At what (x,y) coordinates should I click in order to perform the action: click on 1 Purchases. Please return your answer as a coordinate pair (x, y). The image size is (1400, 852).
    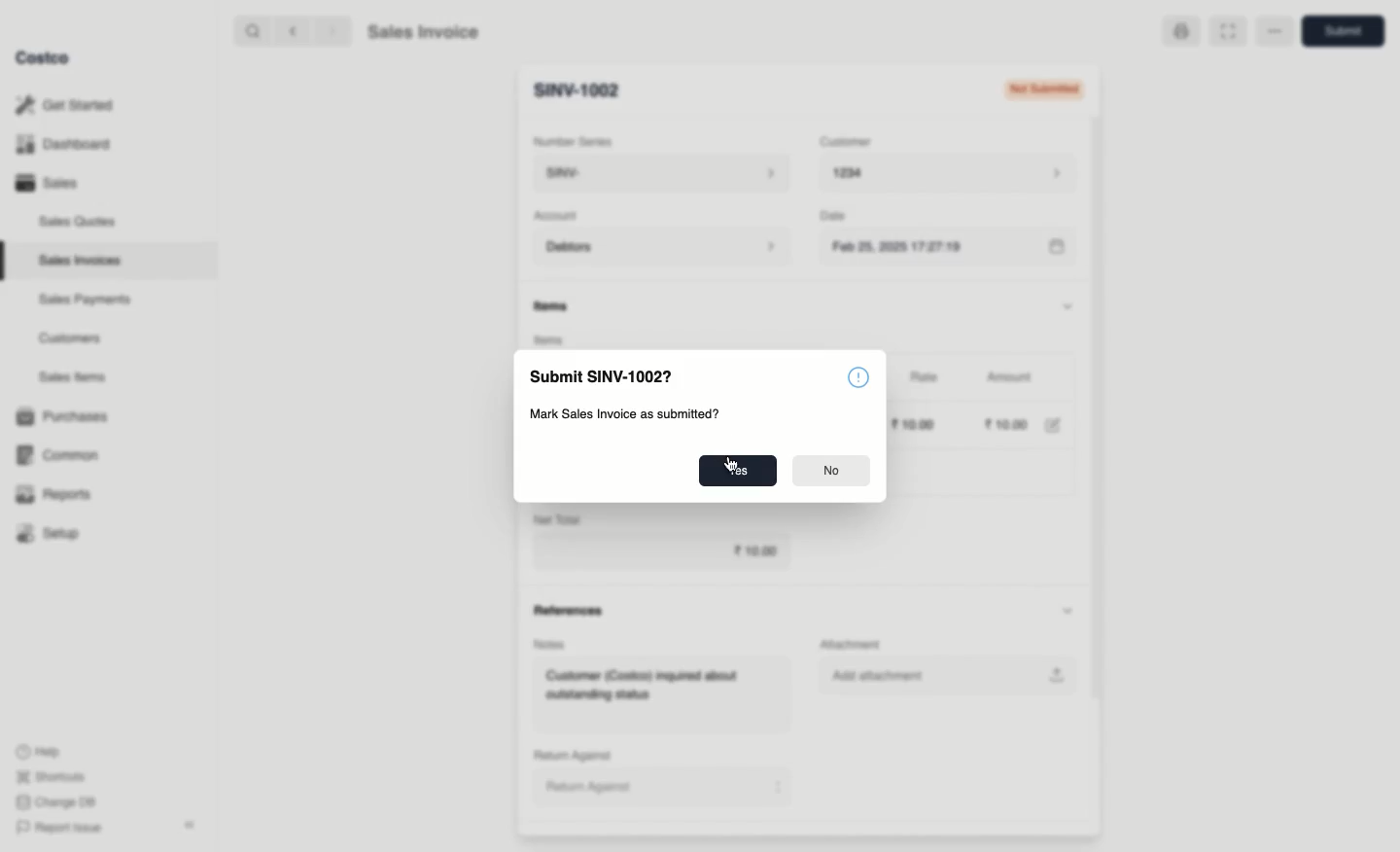
    Looking at the image, I should click on (67, 417).